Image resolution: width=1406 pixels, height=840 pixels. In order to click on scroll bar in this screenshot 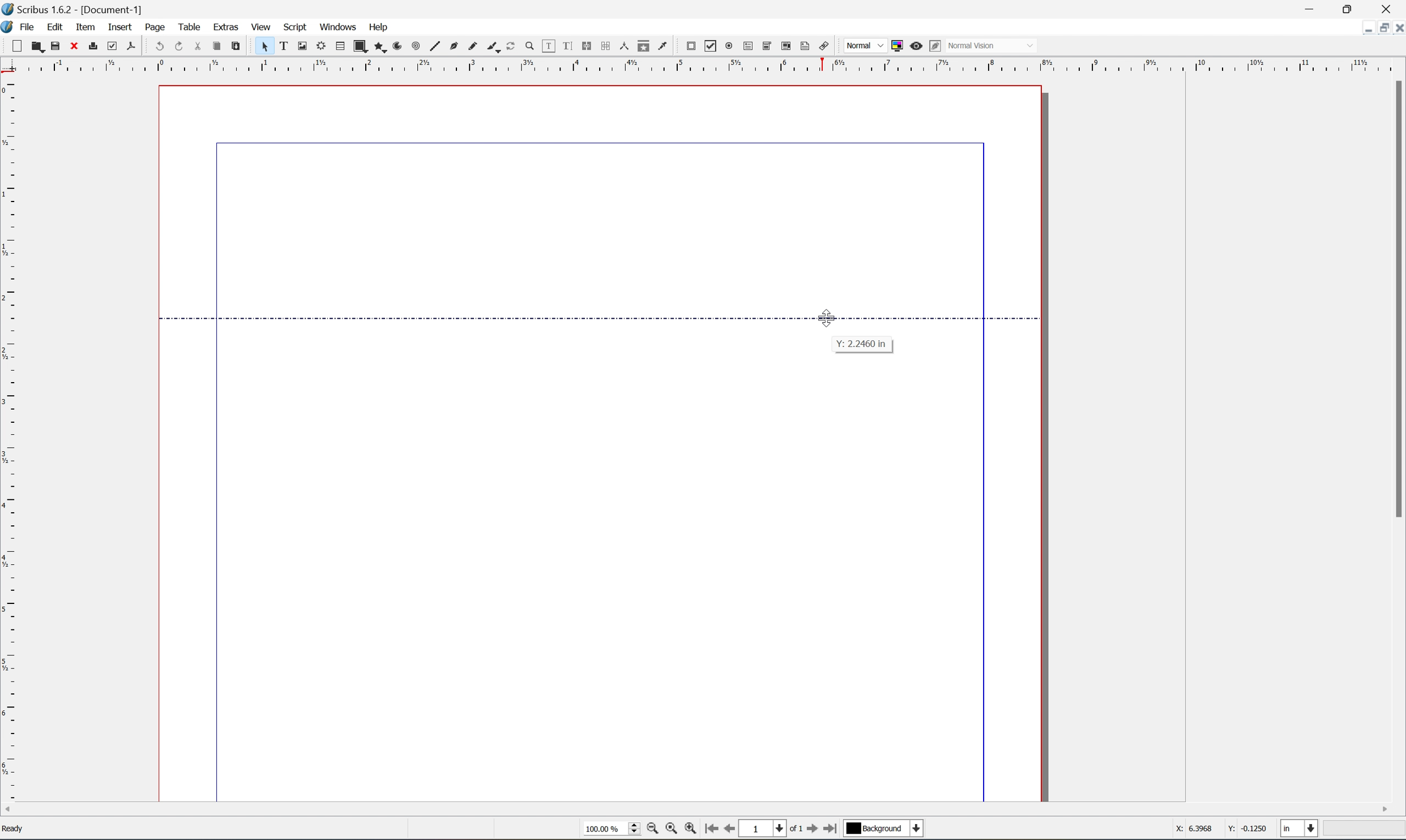, I will do `click(695, 810)`.